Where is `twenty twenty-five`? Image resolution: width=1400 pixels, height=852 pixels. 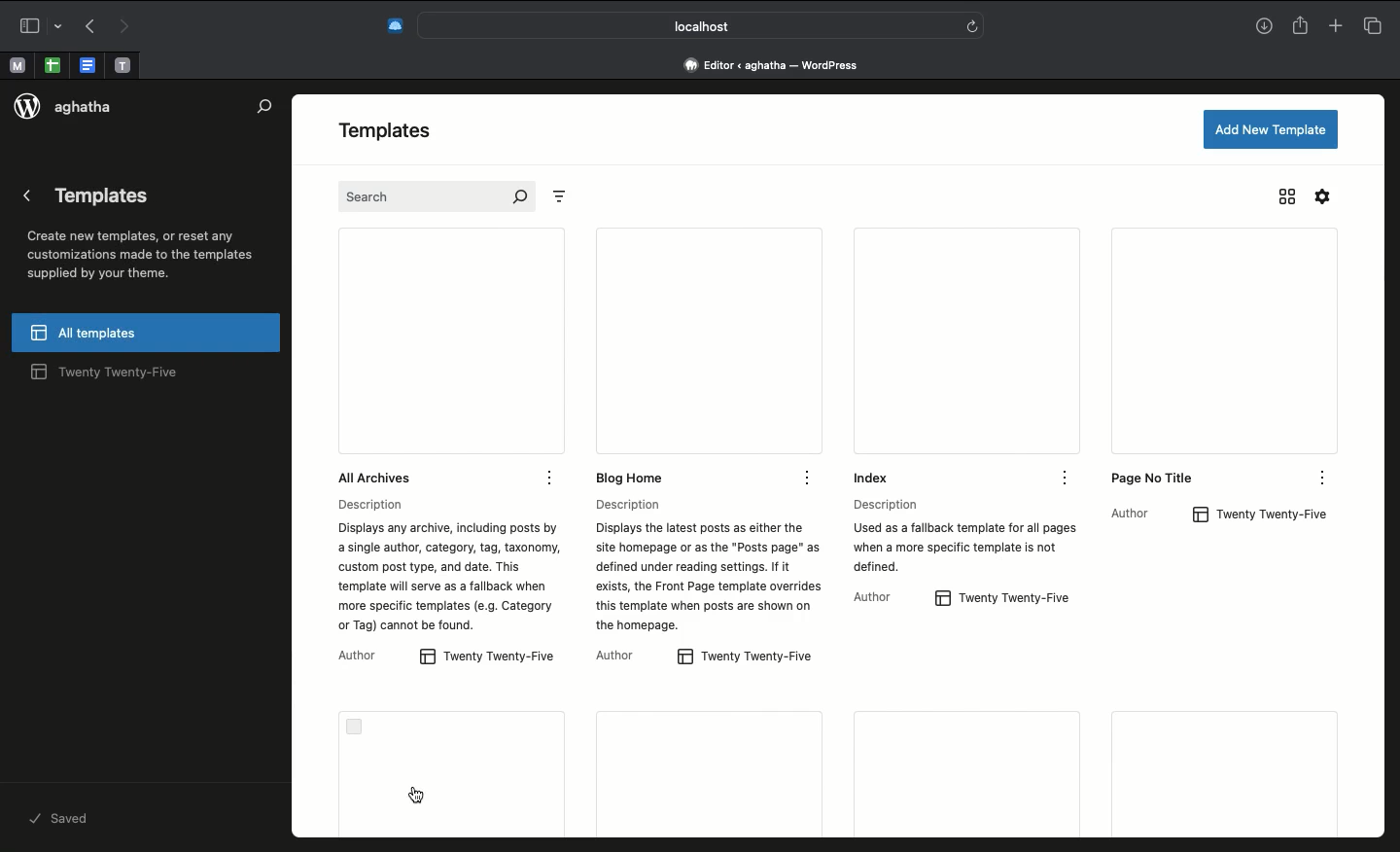 twenty twenty-five is located at coordinates (744, 654).